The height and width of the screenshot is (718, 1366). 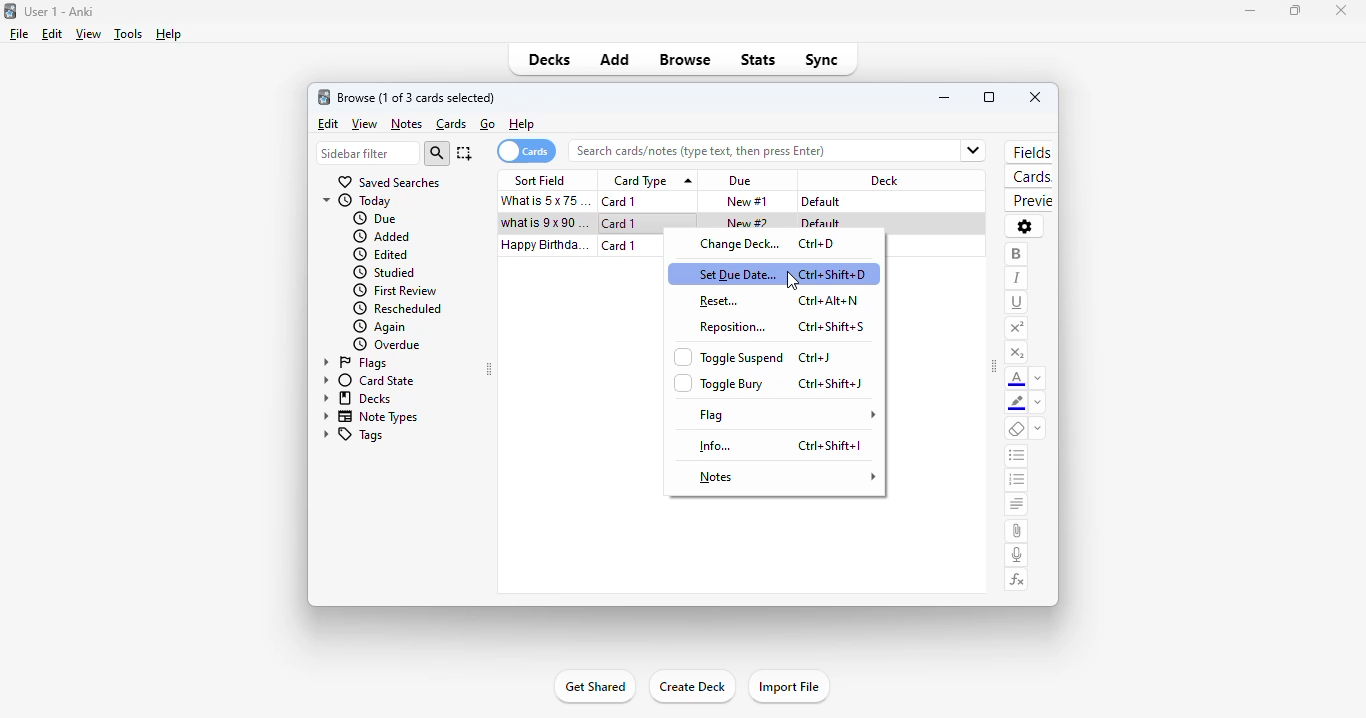 I want to click on new #2, so click(x=750, y=223).